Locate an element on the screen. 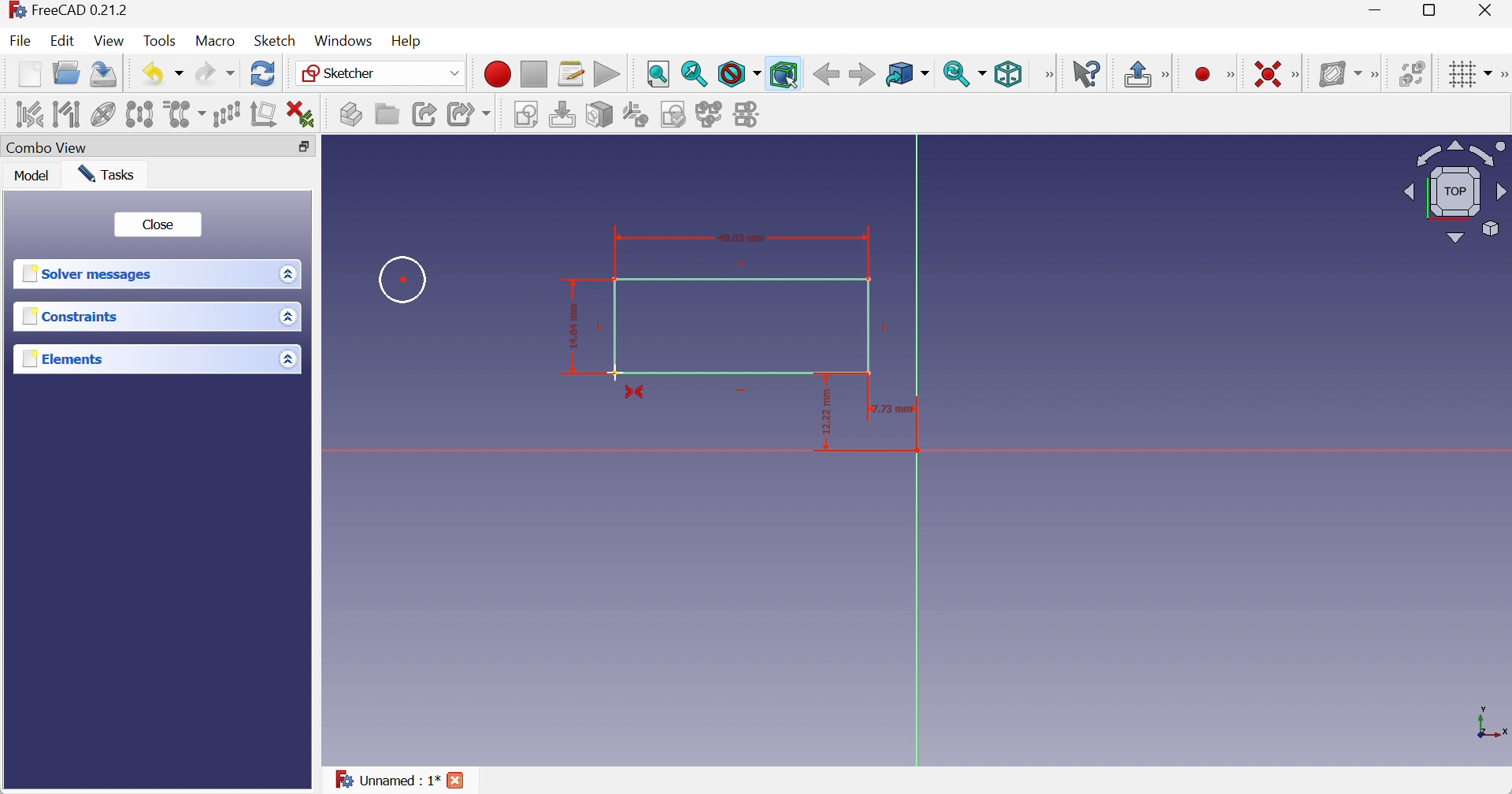  Back is located at coordinates (825, 75).